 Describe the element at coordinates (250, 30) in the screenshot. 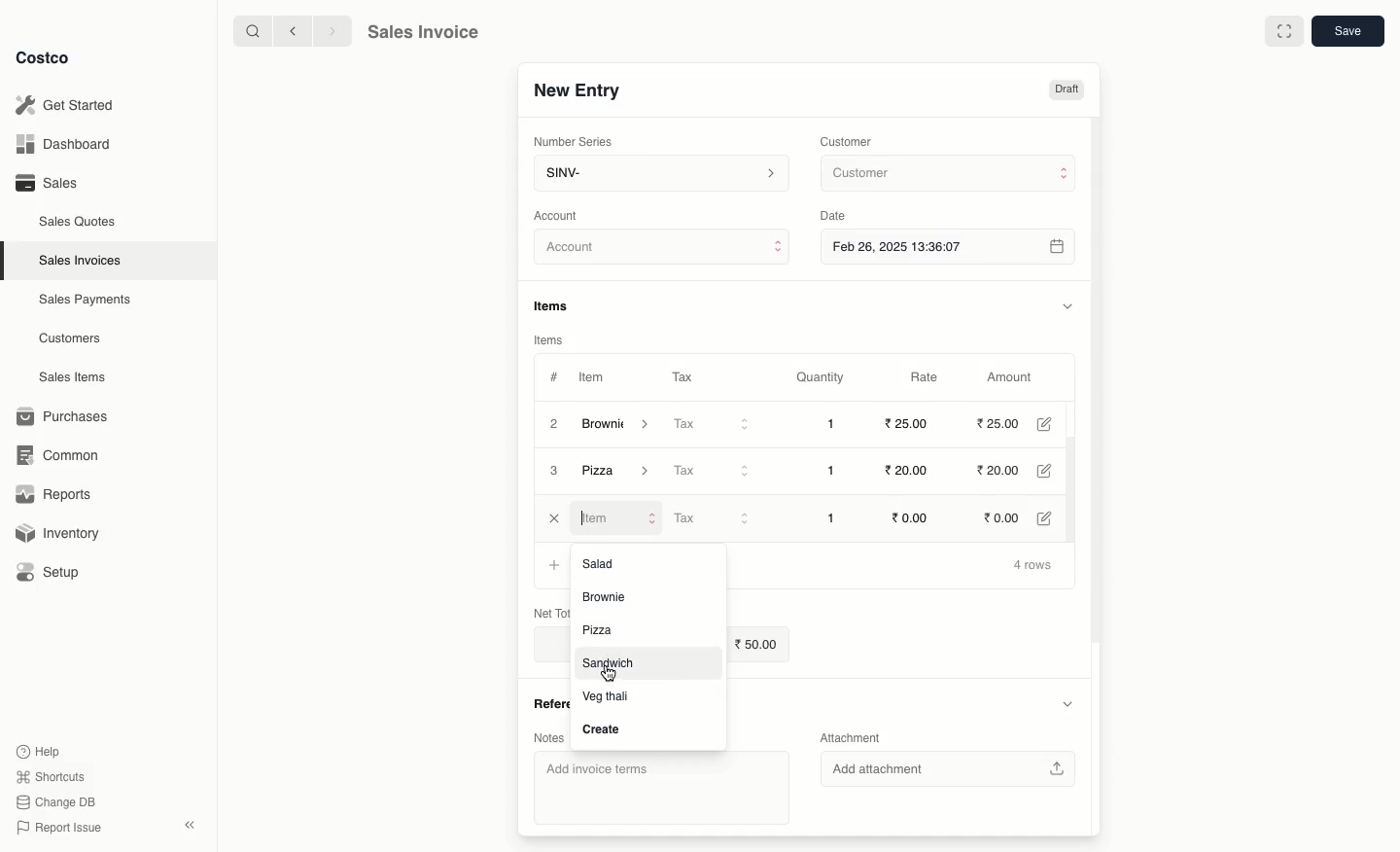

I see `Search` at that location.